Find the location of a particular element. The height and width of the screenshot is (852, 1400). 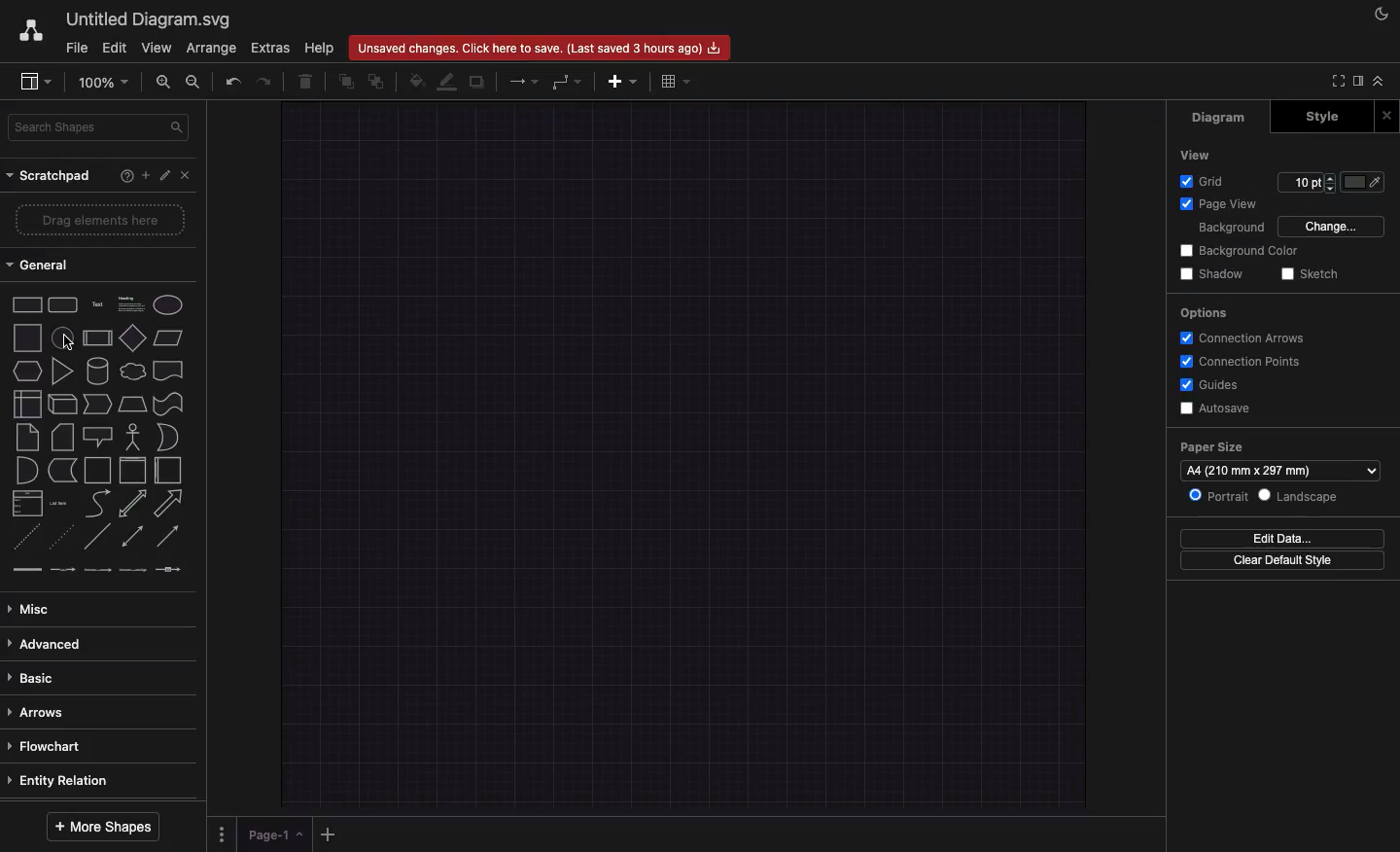

Connection points is located at coordinates (1242, 363).